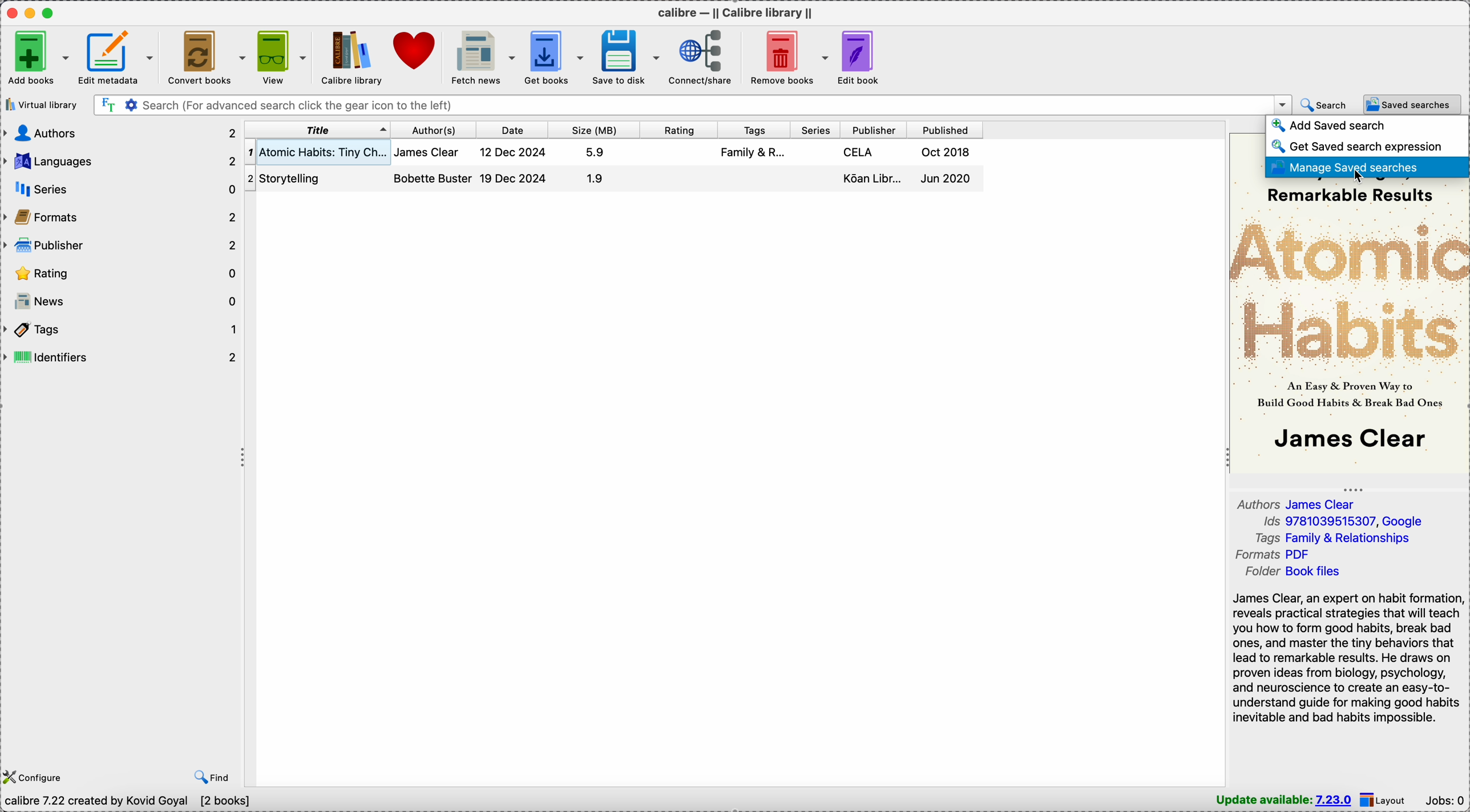 This screenshot has height=812, width=1470. Describe the element at coordinates (1386, 799) in the screenshot. I see `layout` at that location.